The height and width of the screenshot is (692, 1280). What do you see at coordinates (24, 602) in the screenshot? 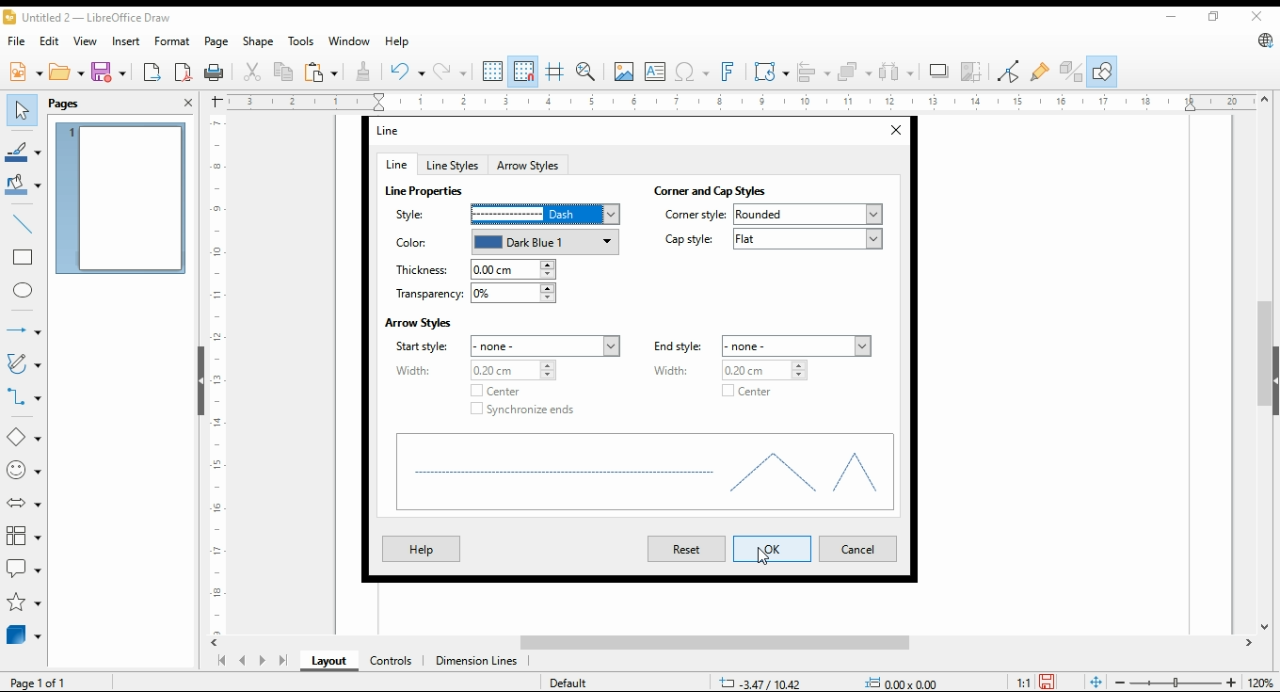
I see `stars and banners` at bounding box center [24, 602].